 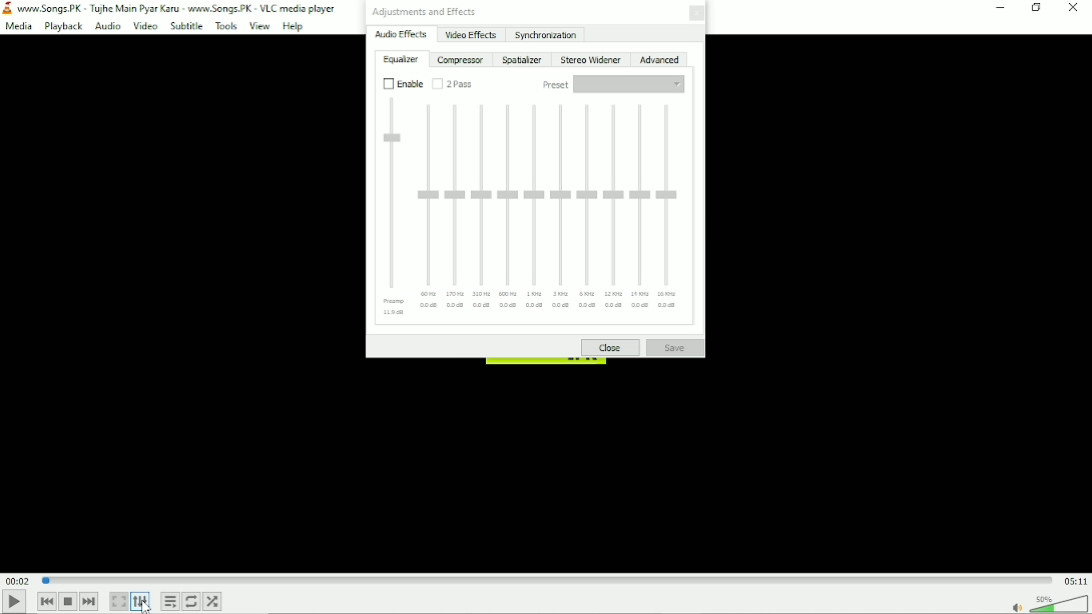 What do you see at coordinates (522, 60) in the screenshot?
I see `Spatializer` at bounding box center [522, 60].